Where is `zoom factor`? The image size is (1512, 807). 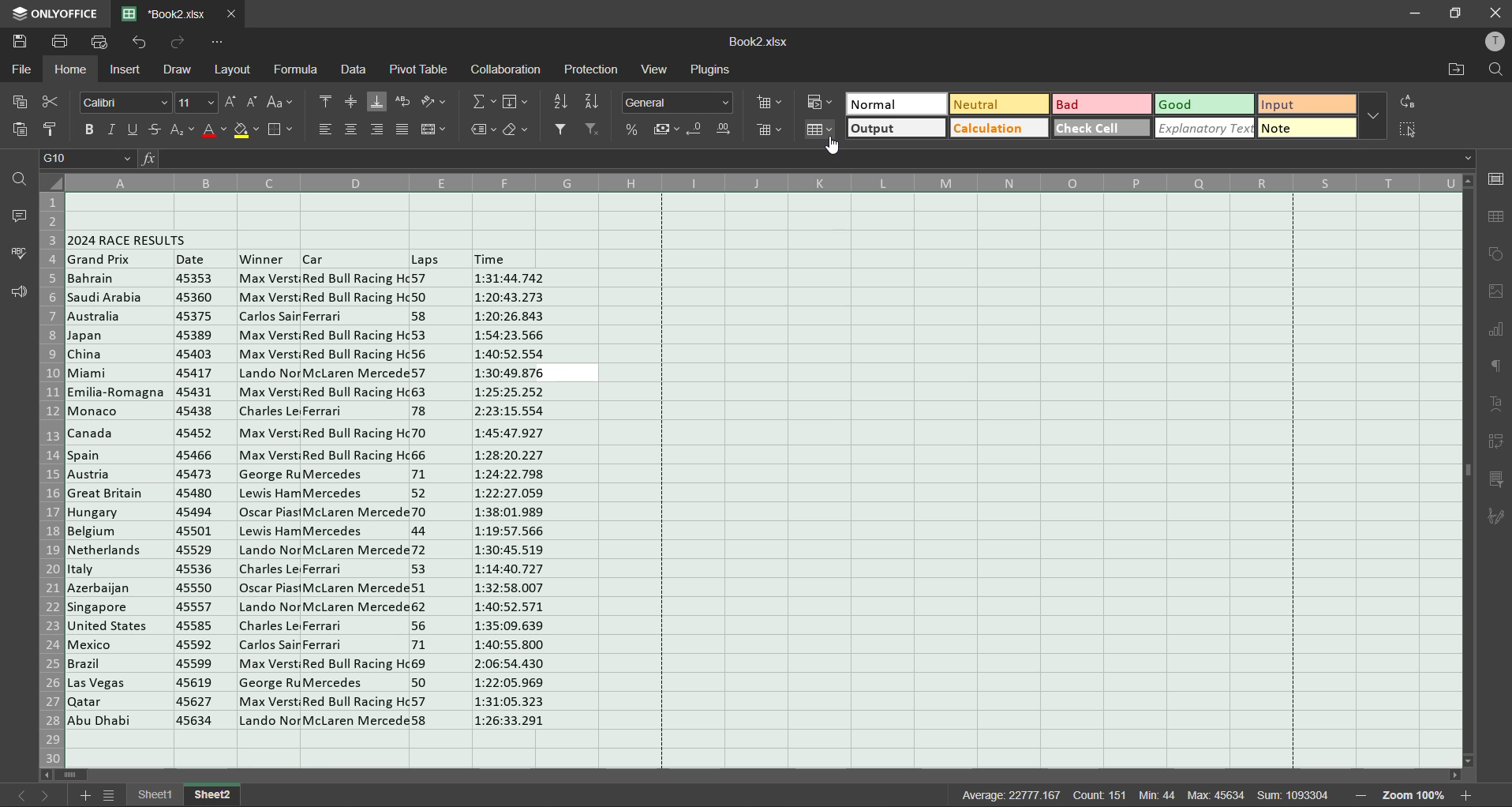
zoom factor is located at coordinates (1415, 795).